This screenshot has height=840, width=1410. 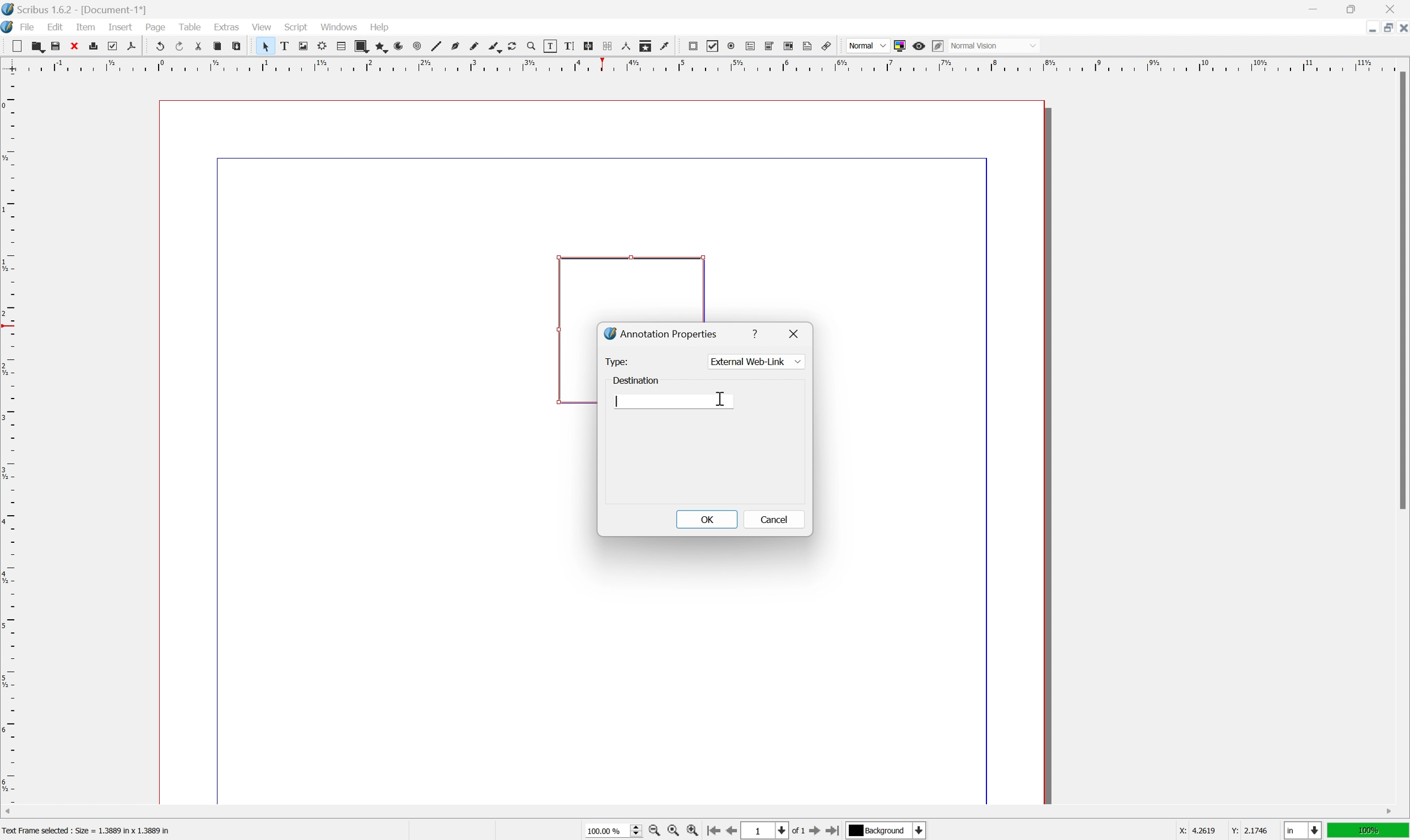 What do you see at coordinates (713, 47) in the screenshot?
I see `pdf checkbox` at bounding box center [713, 47].